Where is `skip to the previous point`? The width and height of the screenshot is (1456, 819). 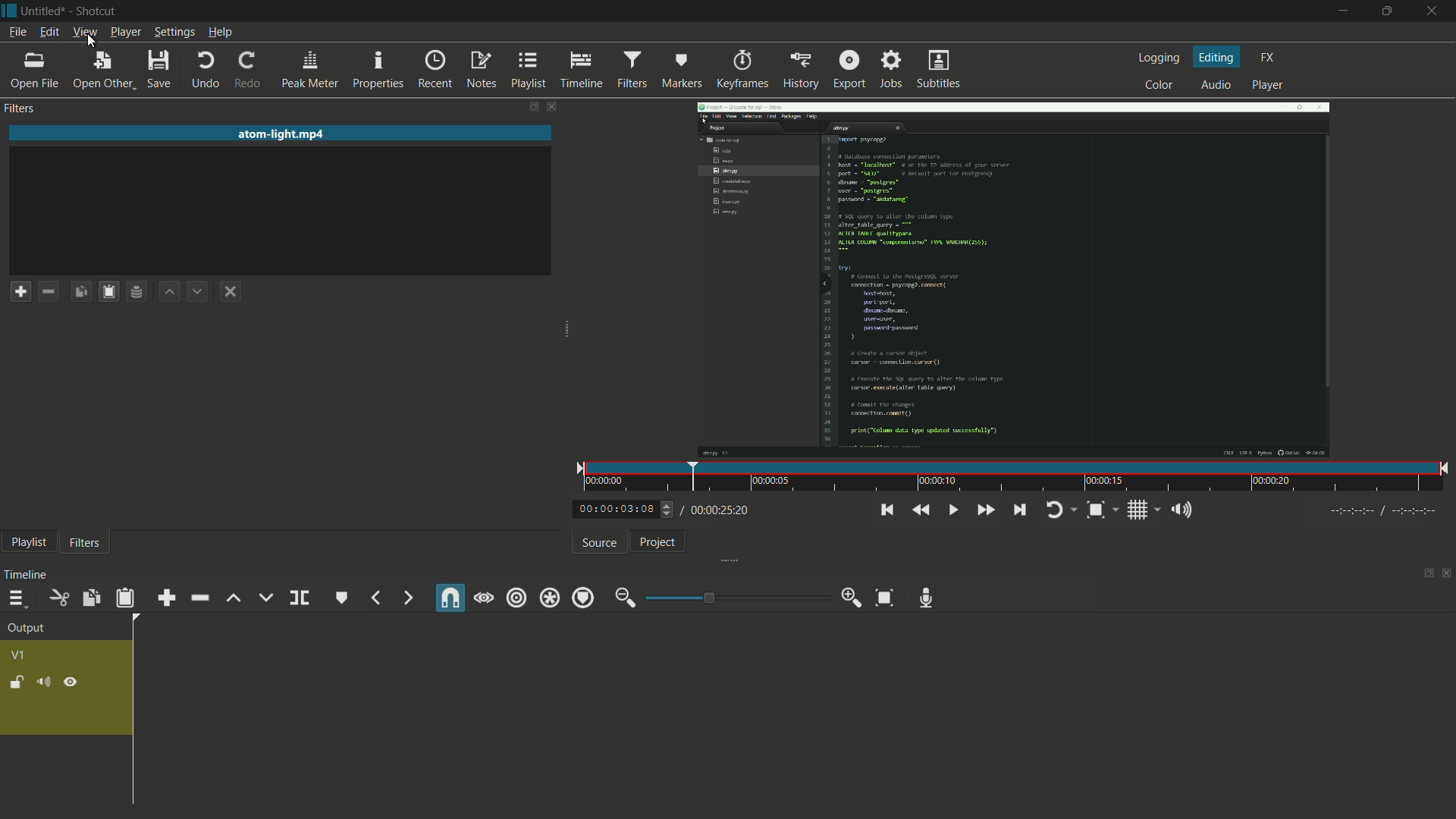 skip to the previous point is located at coordinates (886, 510).